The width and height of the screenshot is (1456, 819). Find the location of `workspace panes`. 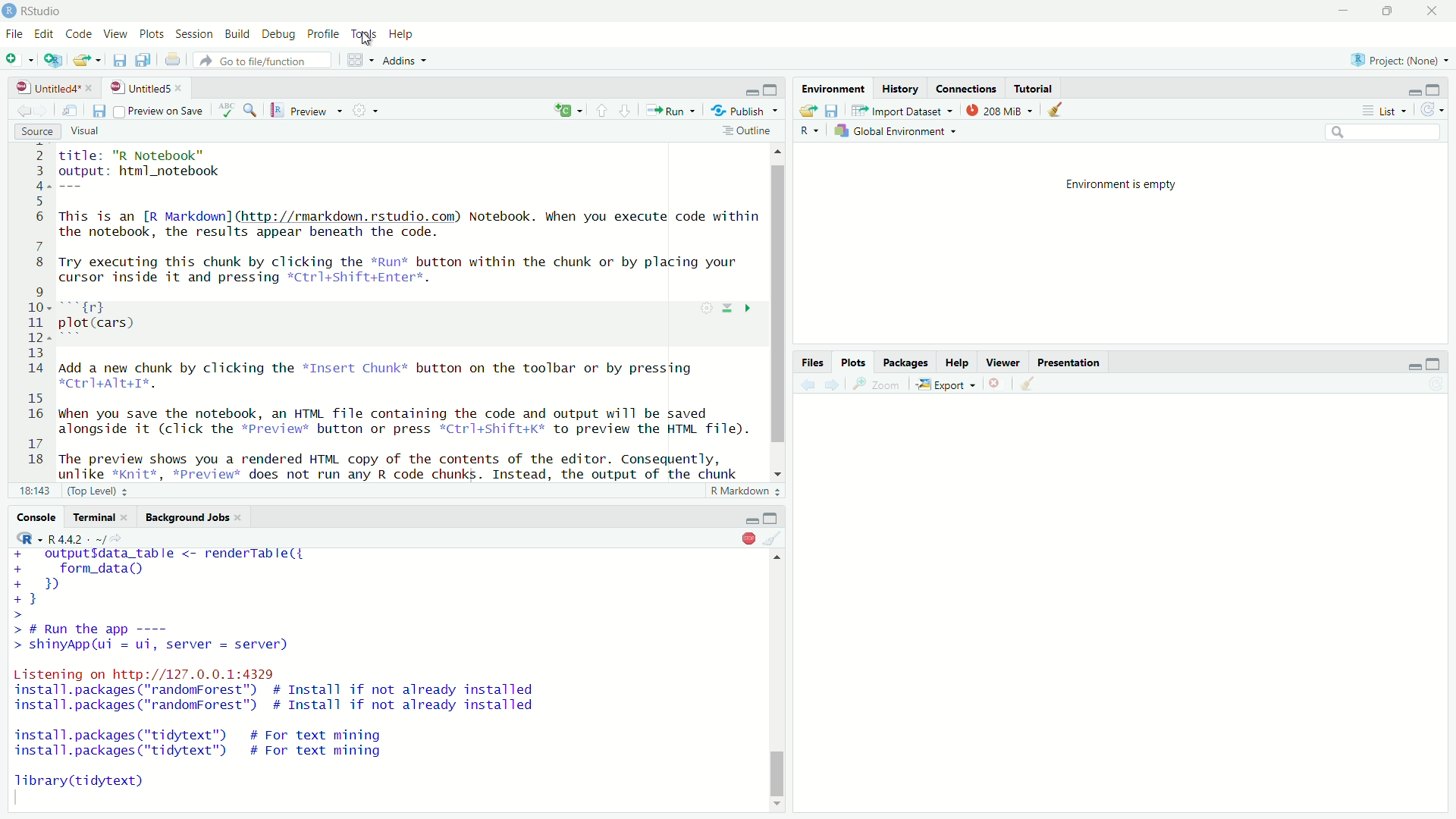

workspace panes is located at coordinates (362, 60).